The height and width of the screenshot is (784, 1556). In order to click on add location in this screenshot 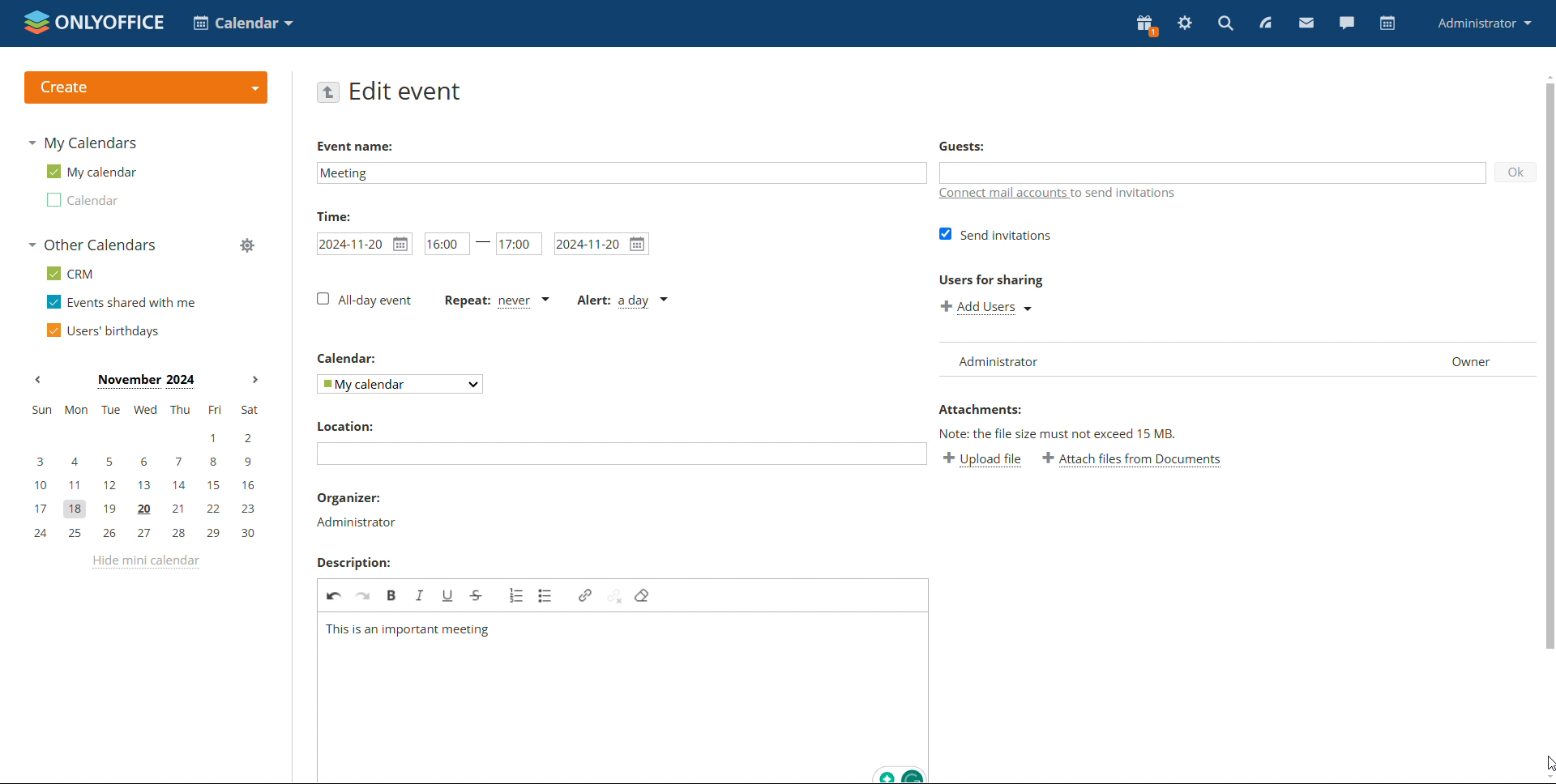, I will do `click(621, 454)`.